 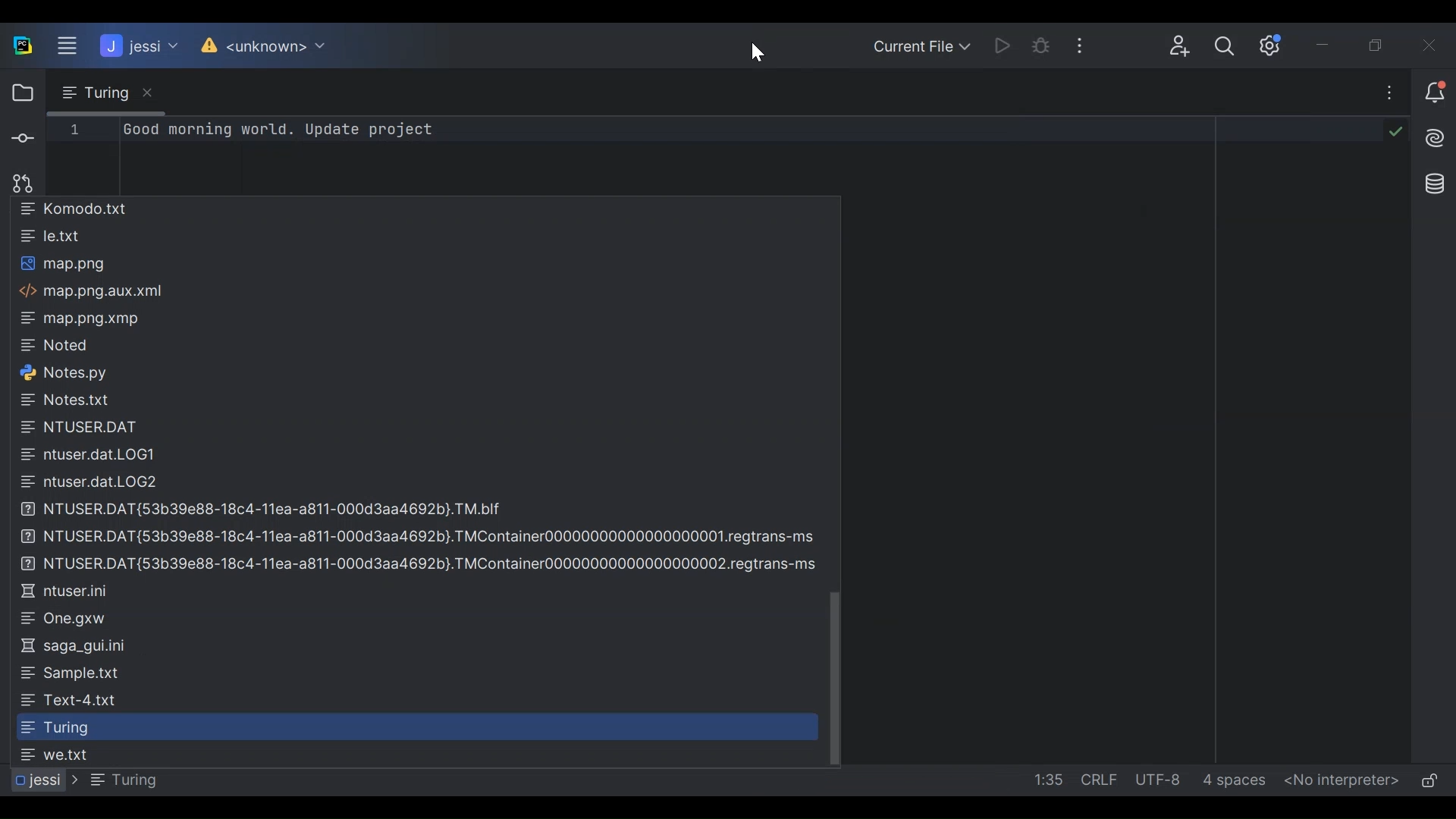 What do you see at coordinates (1382, 95) in the screenshot?
I see `More` at bounding box center [1382, 95].